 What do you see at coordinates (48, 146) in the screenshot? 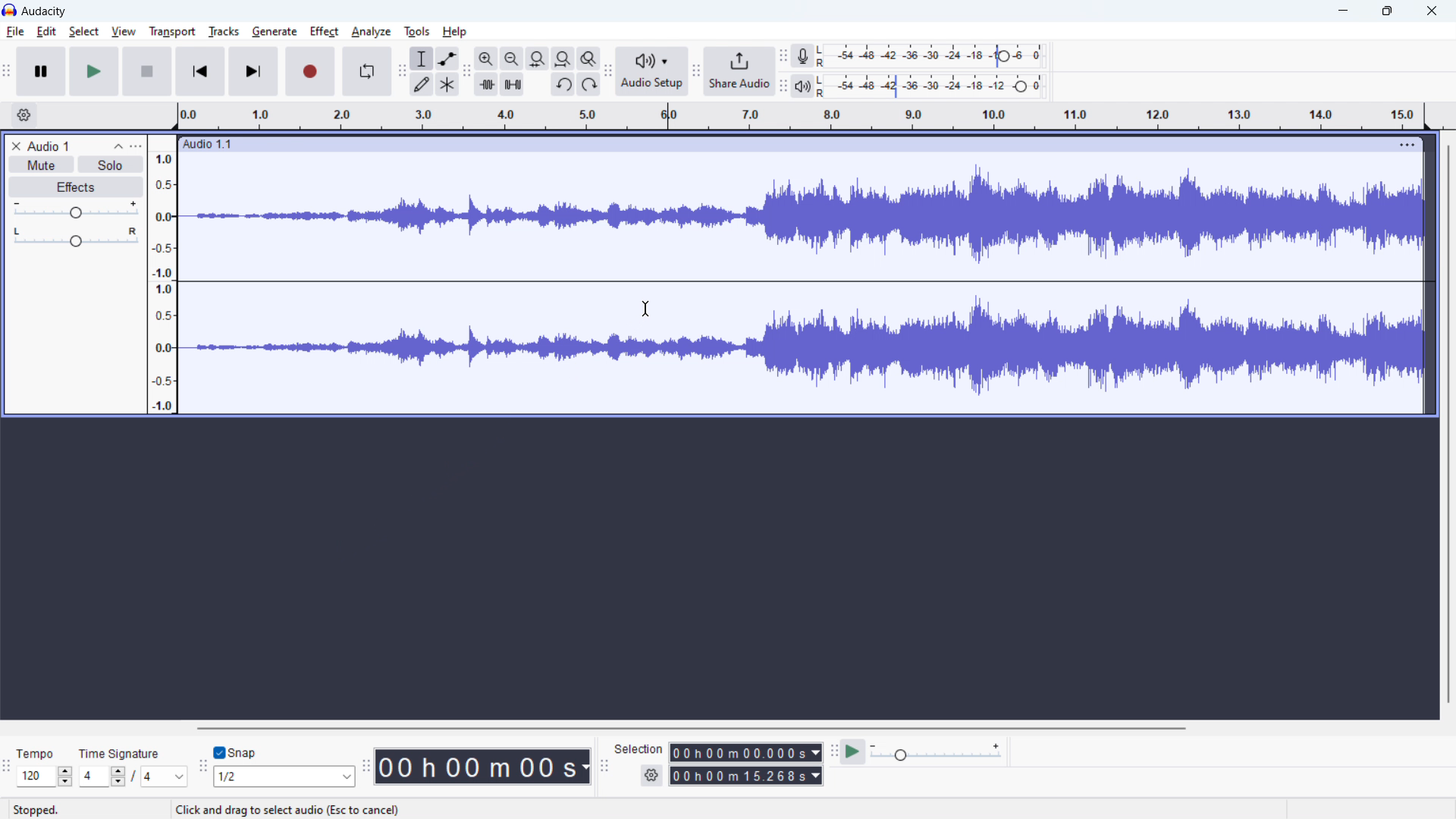
I see `project title` at bounding box center [48, 146].